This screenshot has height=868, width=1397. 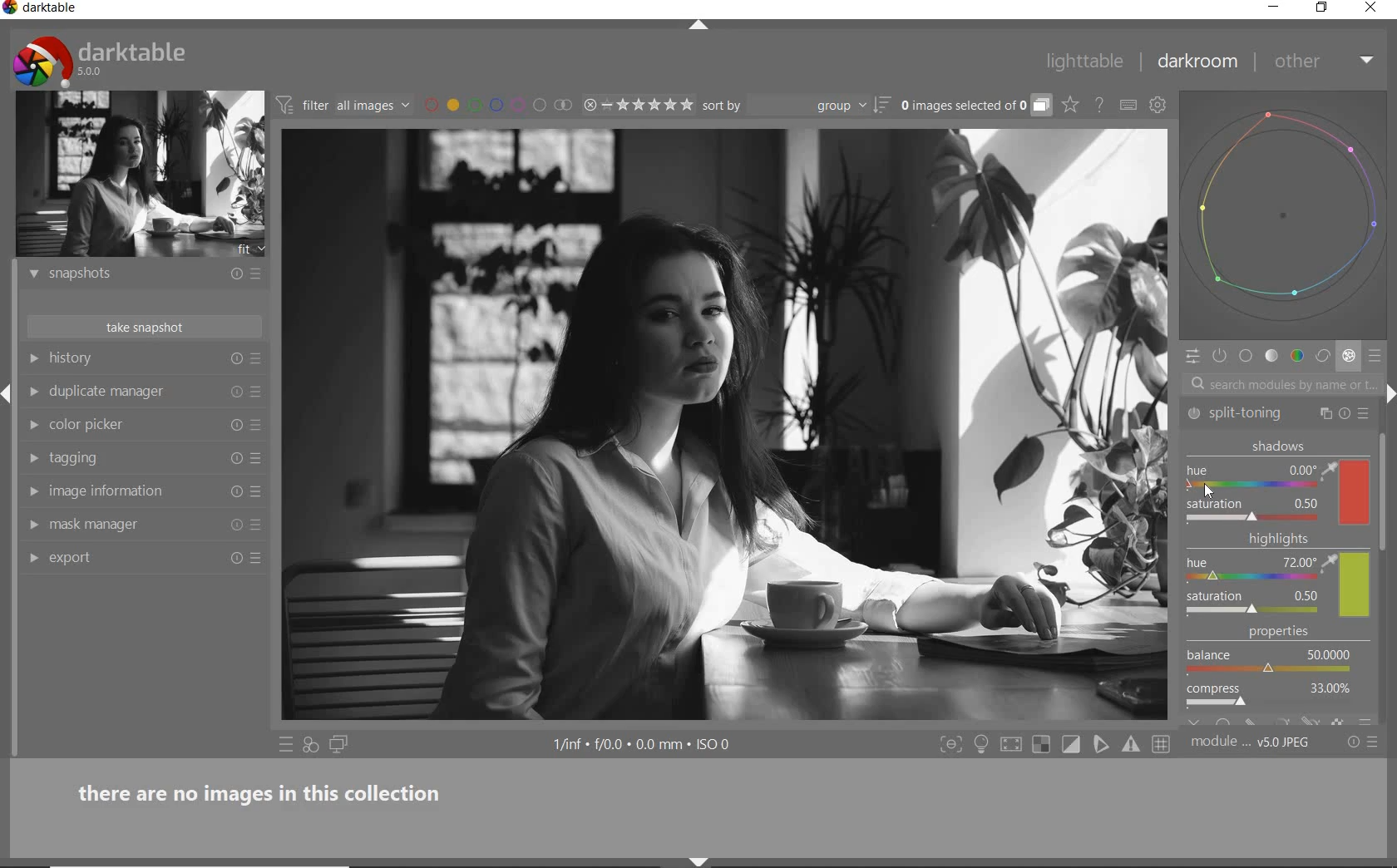 What do you see at coordinates (42, 9) in the screenshot?
I see `system name` at bounding box center [42, 9].